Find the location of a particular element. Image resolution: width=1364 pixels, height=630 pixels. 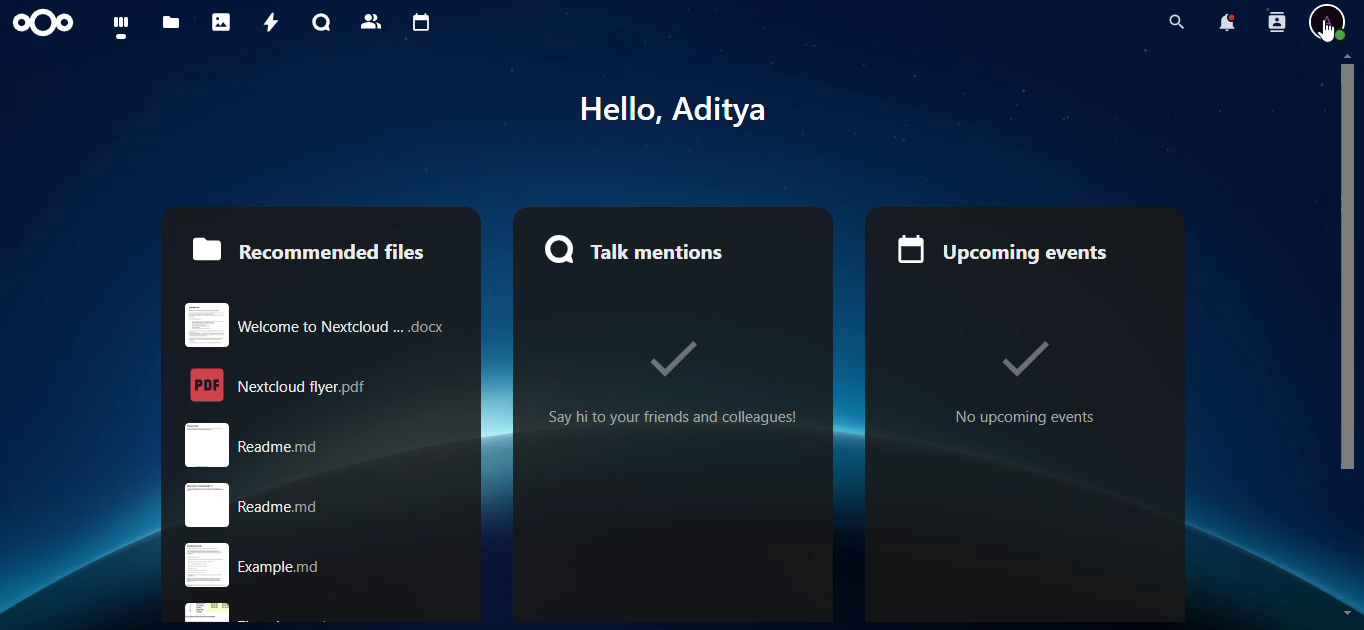

Say hi to your friends and colleagues! is located at coordinates (682, 383).